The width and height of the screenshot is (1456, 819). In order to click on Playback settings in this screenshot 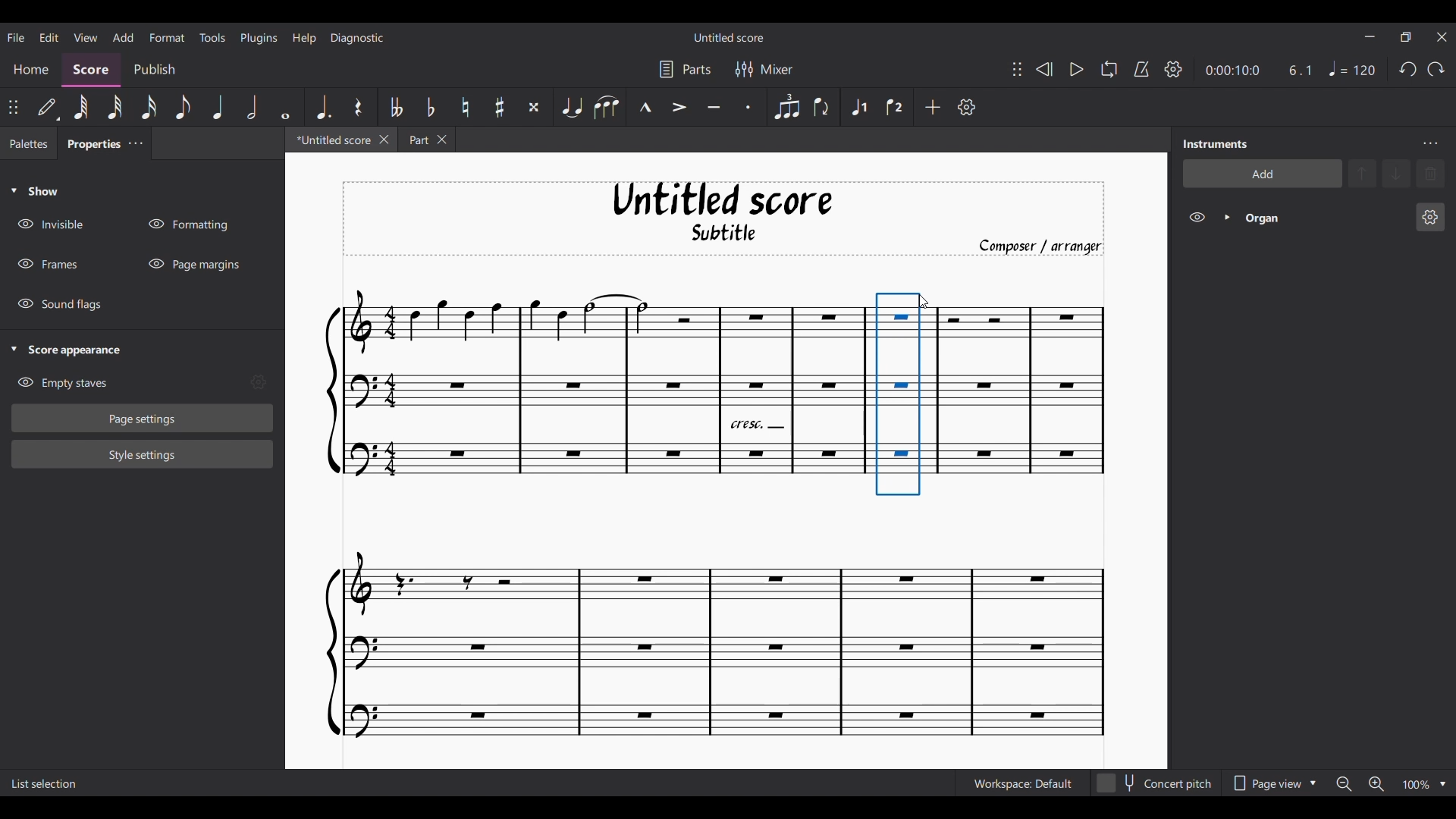, I will do `click(1173, 68)`.